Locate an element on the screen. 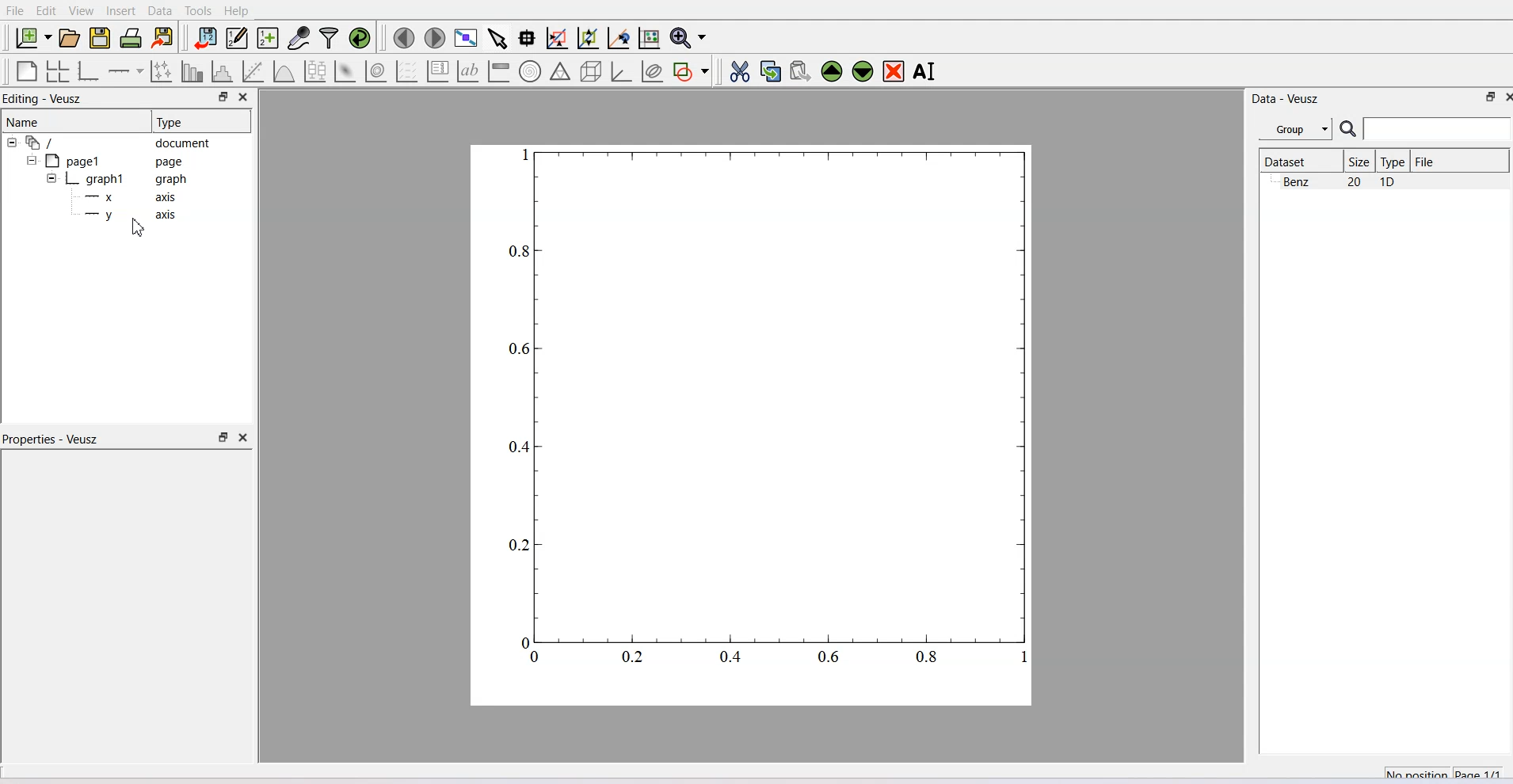 This screenshot has width=1513, height=784. Collapse is located at coordinates (13, 143).